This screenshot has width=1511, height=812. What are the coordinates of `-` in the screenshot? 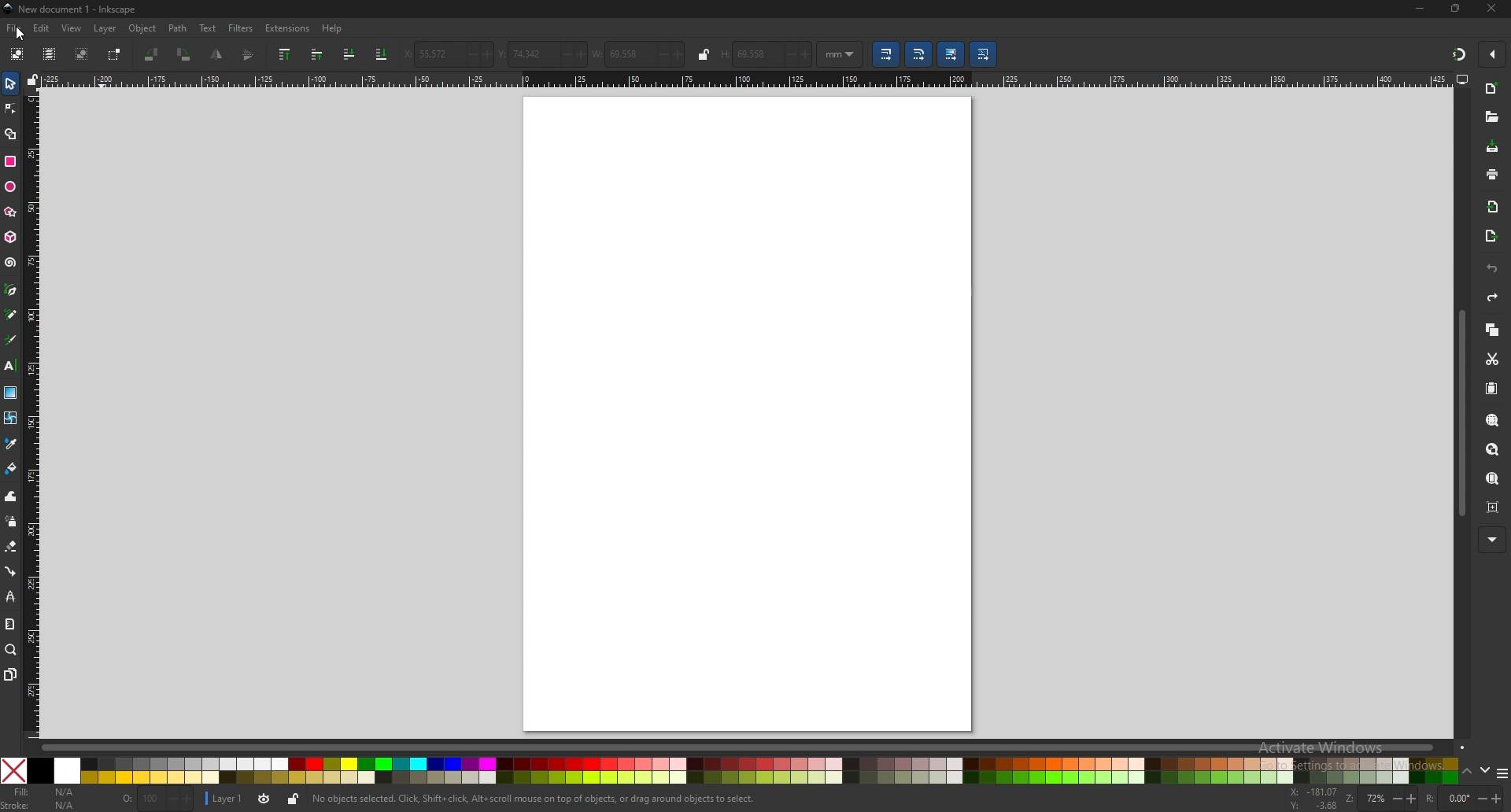 It's located at (659, 55).